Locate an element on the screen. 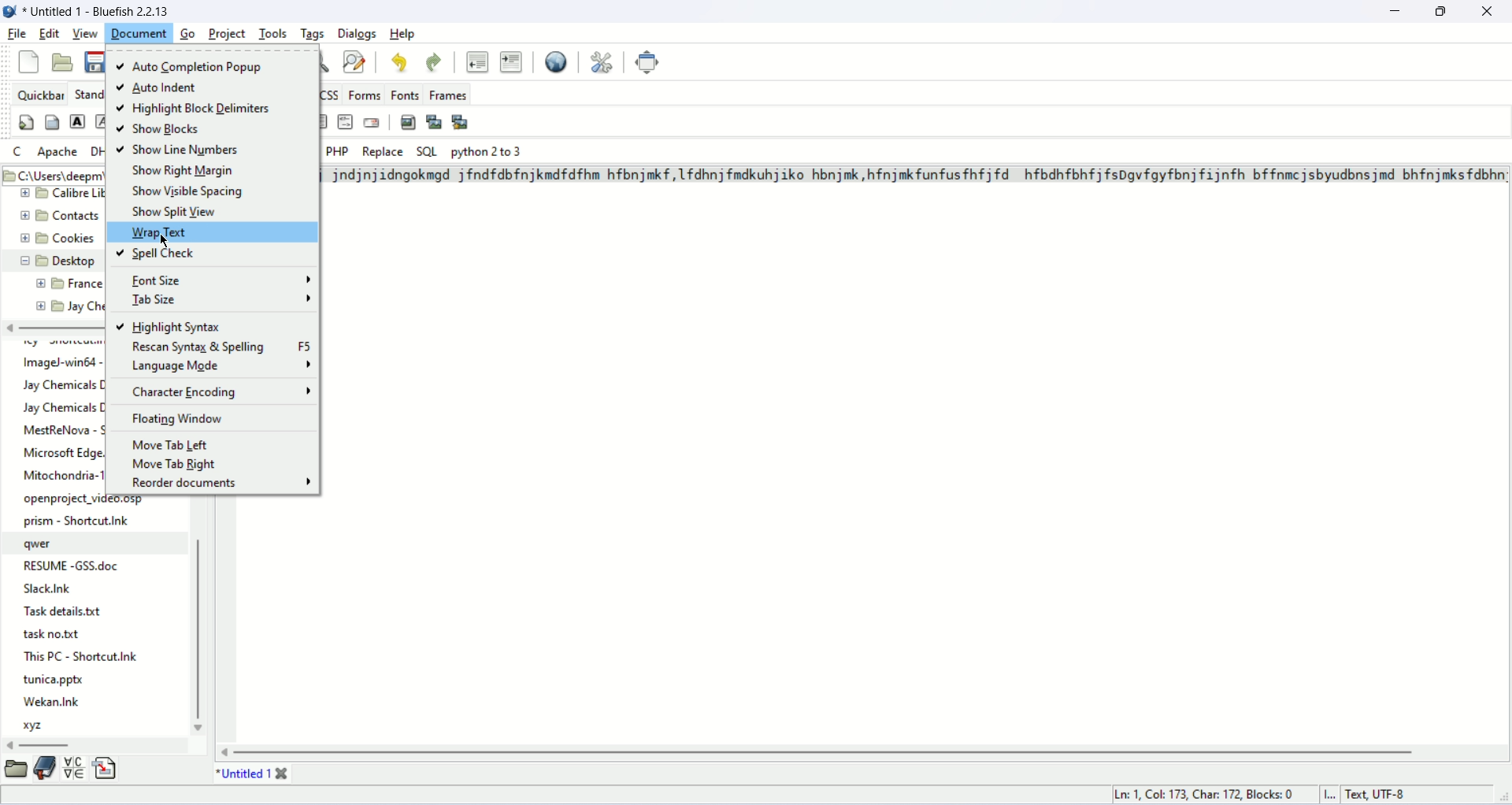 This screenshot has height=805, width=1512. file is located at coordinates (19, 33).